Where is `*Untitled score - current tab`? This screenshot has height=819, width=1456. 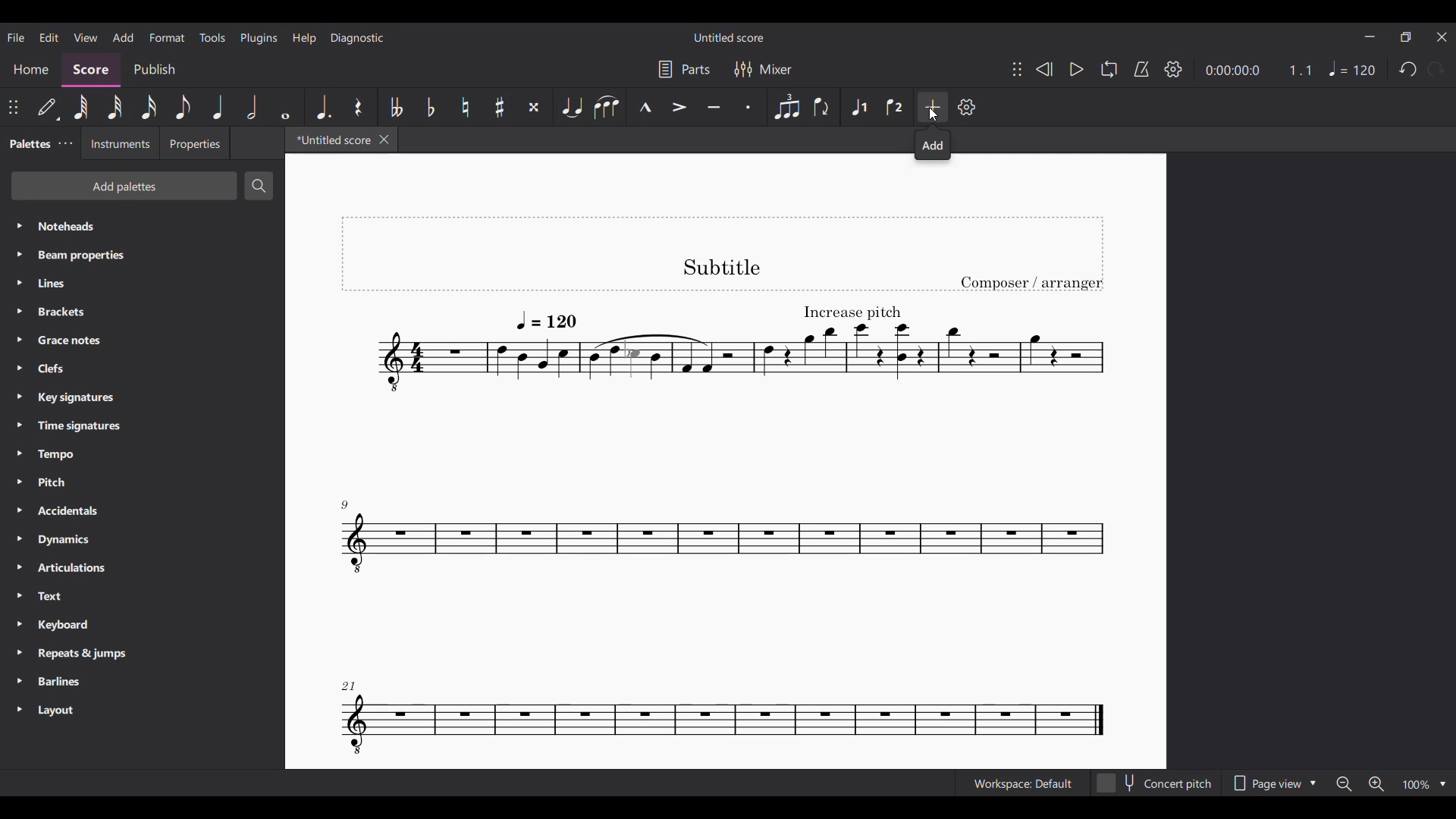 *Untitled score - current tab is located at coordinates (330, 140).